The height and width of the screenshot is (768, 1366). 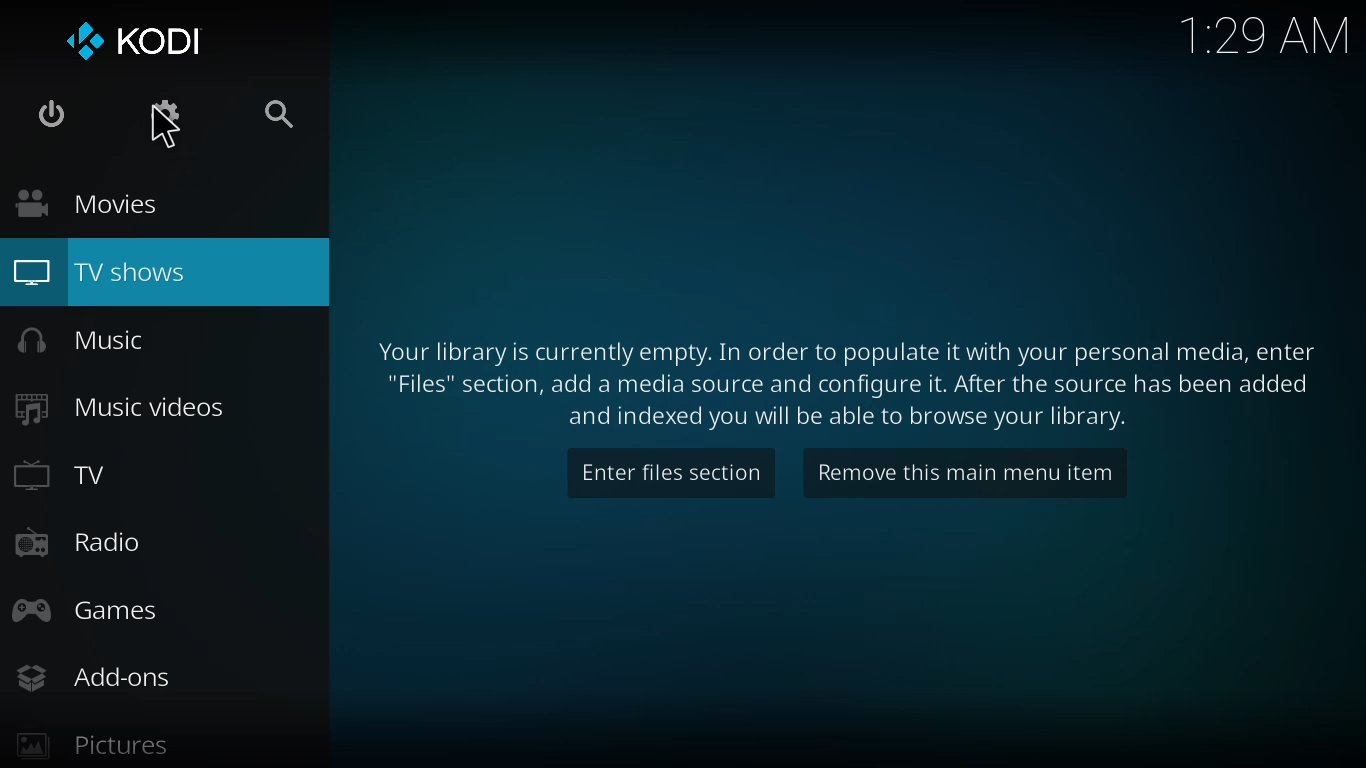 I want to click on music videos, so click(x=121, y=408).